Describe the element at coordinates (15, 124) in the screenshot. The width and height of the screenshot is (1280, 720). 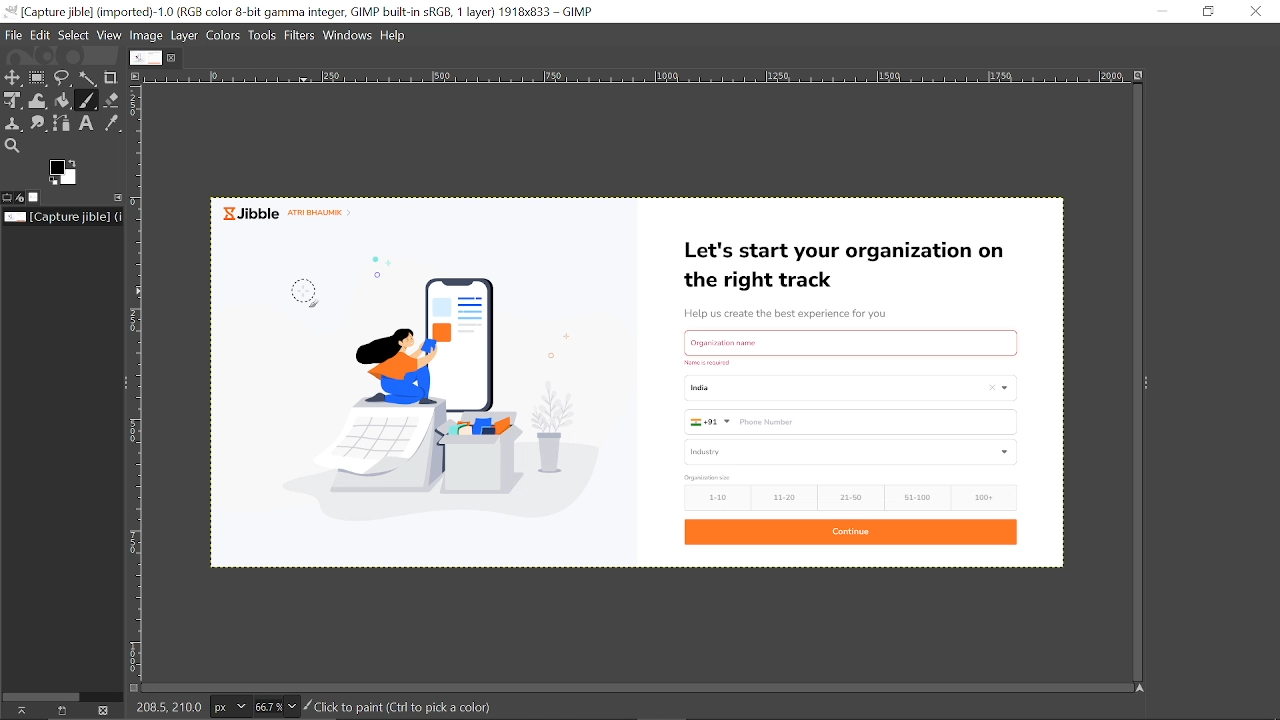
I see `Clone tool` at that location.